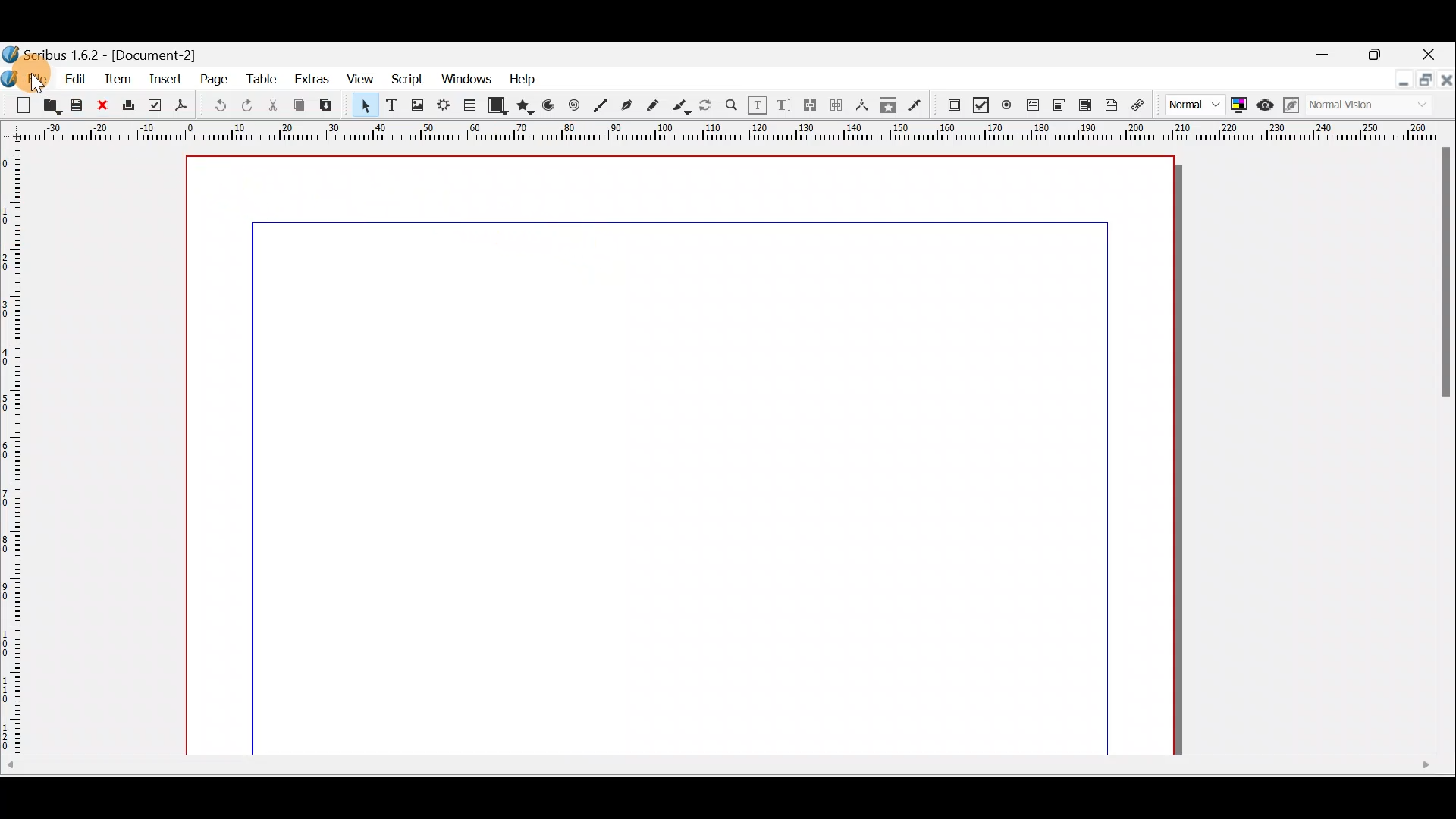 The width and height of the screenshot is (1456, 819). I want to click on Freehand line, so click(657, 105).